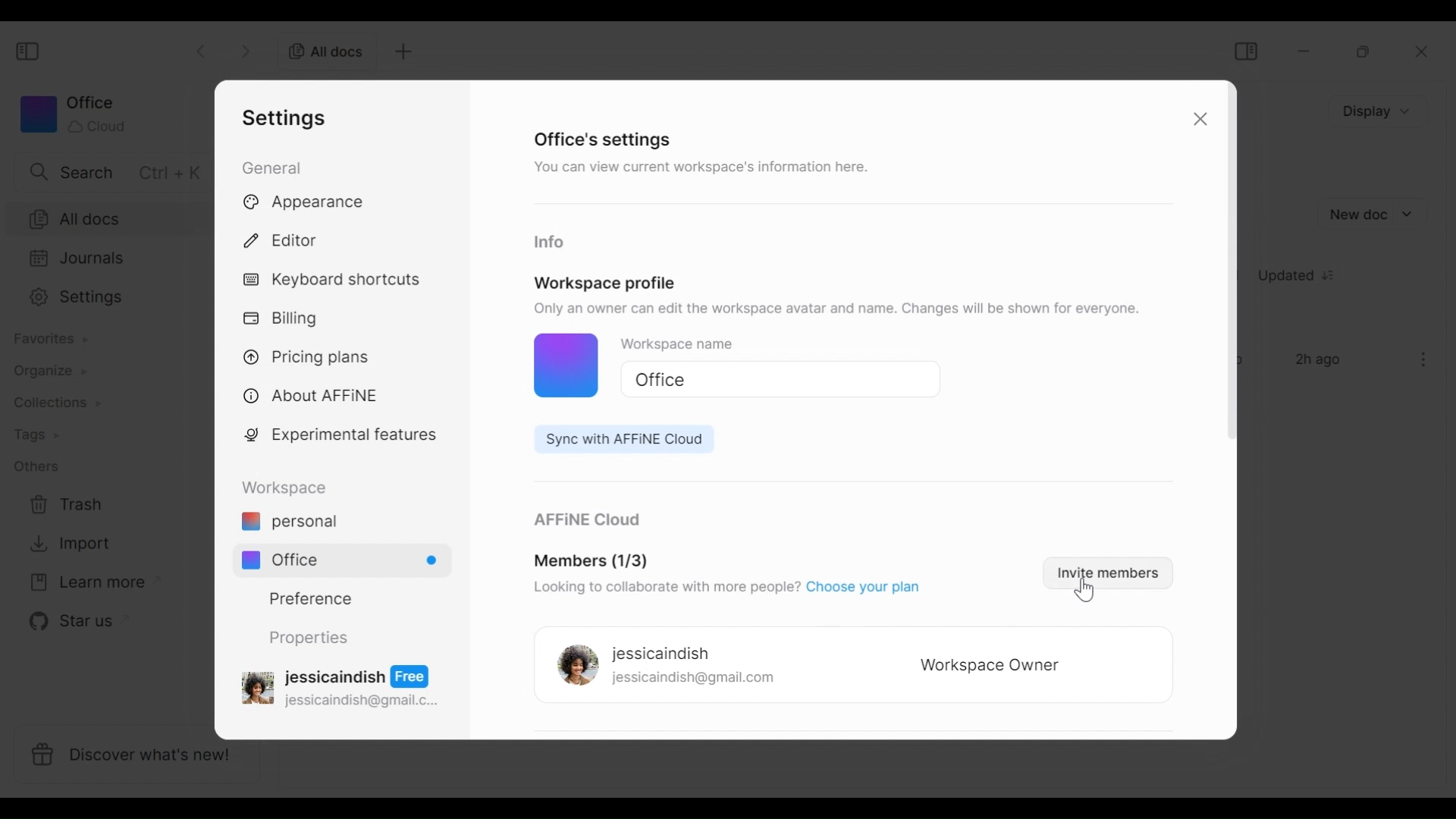 The image size is (1456, 819). What do you see at coordinates (312, 356) in the screenshot?
I see `Pricing plans` at bounding box center [312, 356].